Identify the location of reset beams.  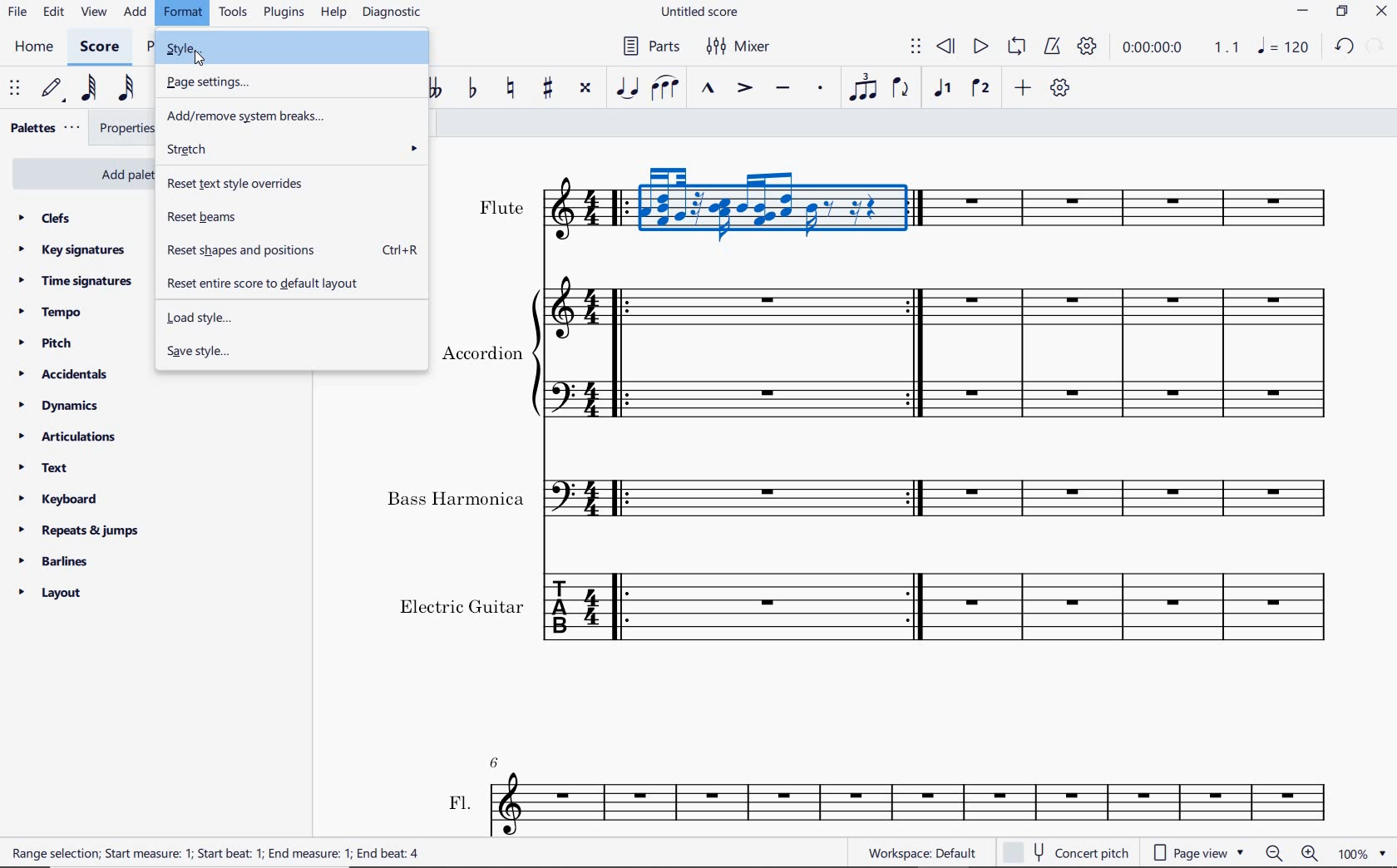
(291, 216).